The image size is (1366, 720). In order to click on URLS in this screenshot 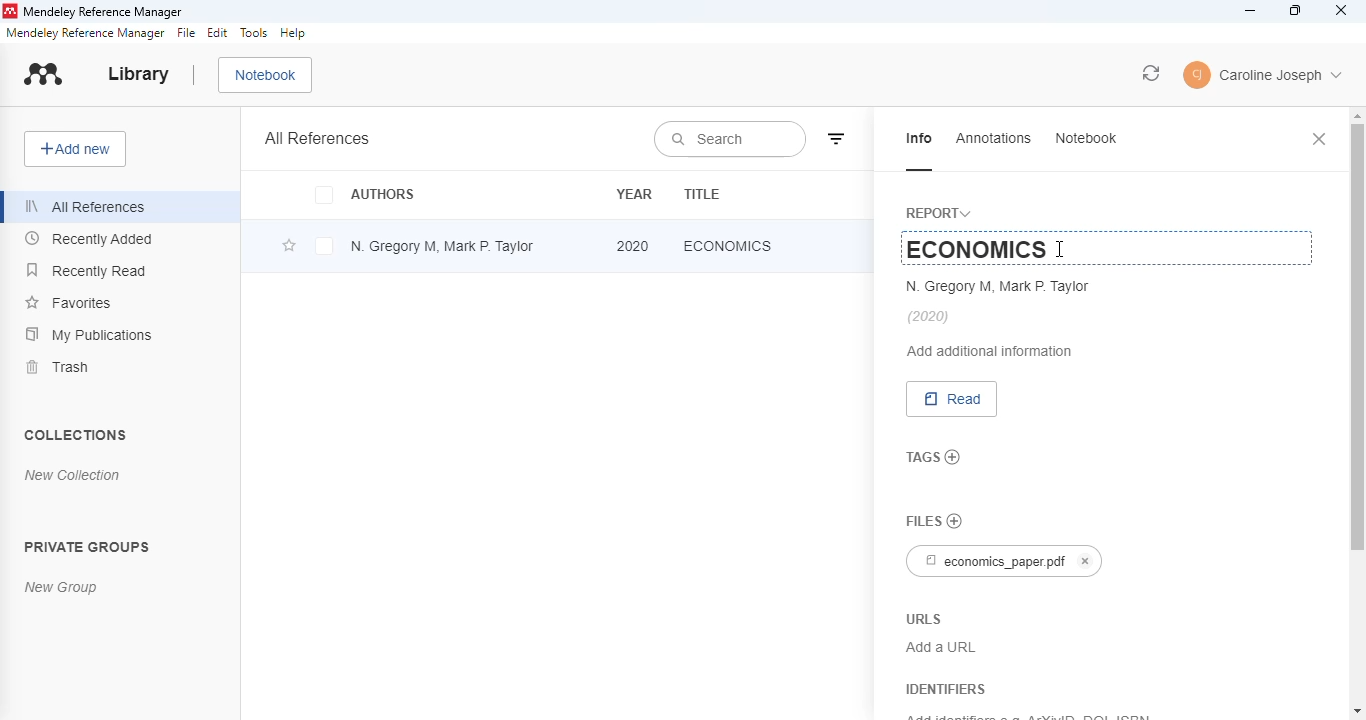, I will do `click(923, 618)`.